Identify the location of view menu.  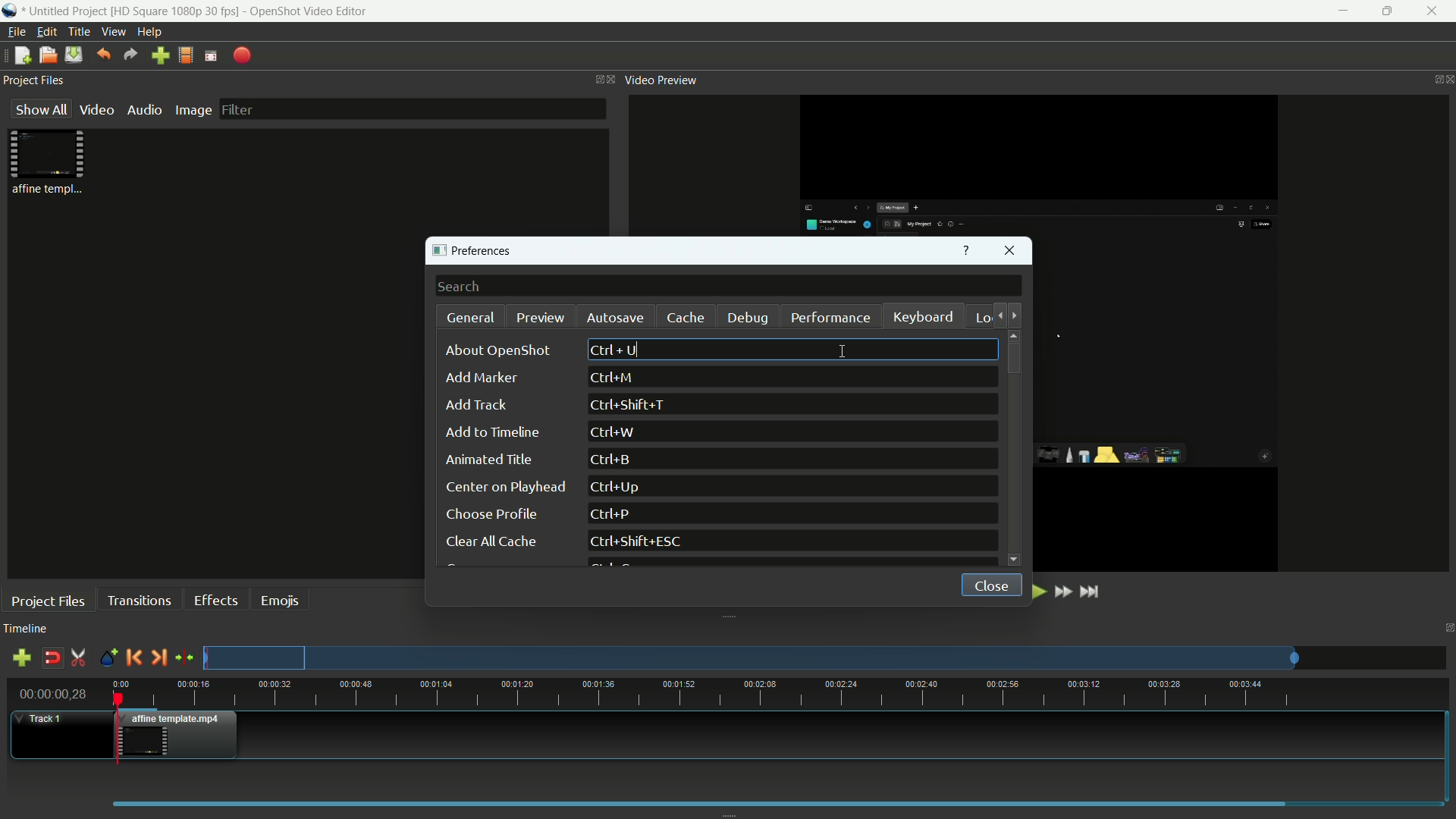
(114, 32).